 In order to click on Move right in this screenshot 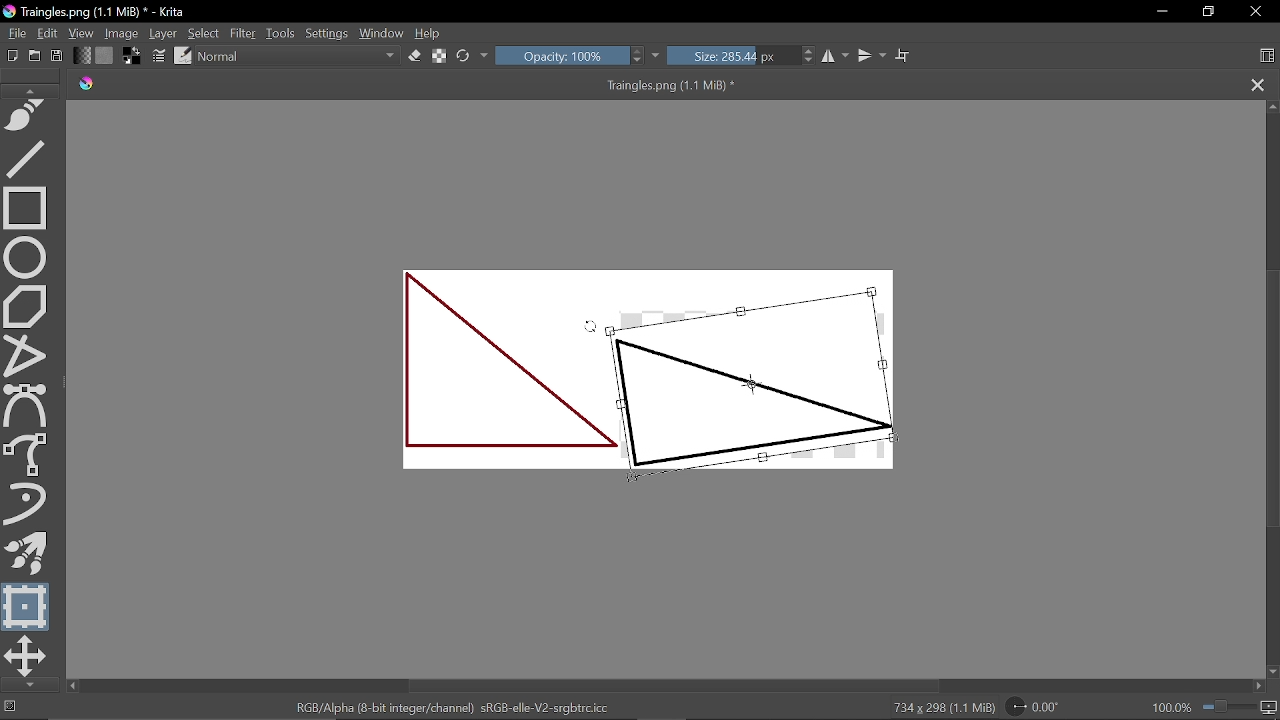, I will do `click(1258, 687)`.